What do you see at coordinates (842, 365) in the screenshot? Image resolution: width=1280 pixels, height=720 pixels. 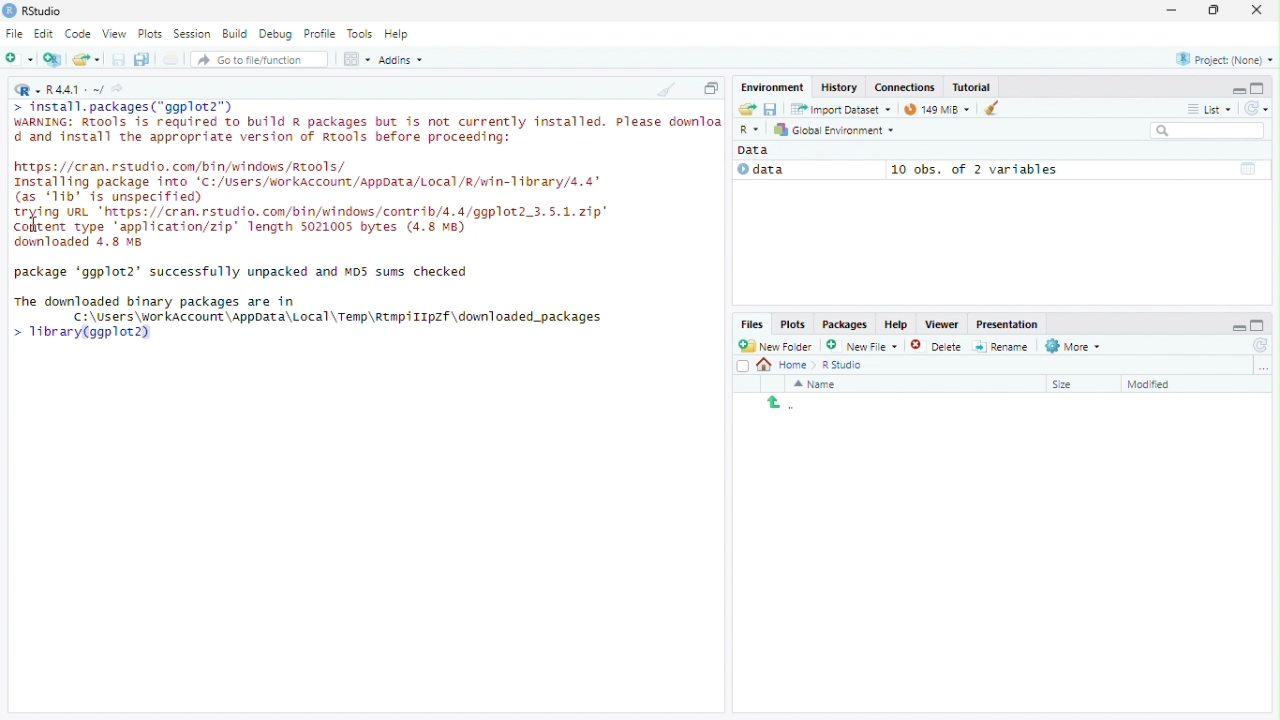 I see `R studio` at bounding box center [842, 365].